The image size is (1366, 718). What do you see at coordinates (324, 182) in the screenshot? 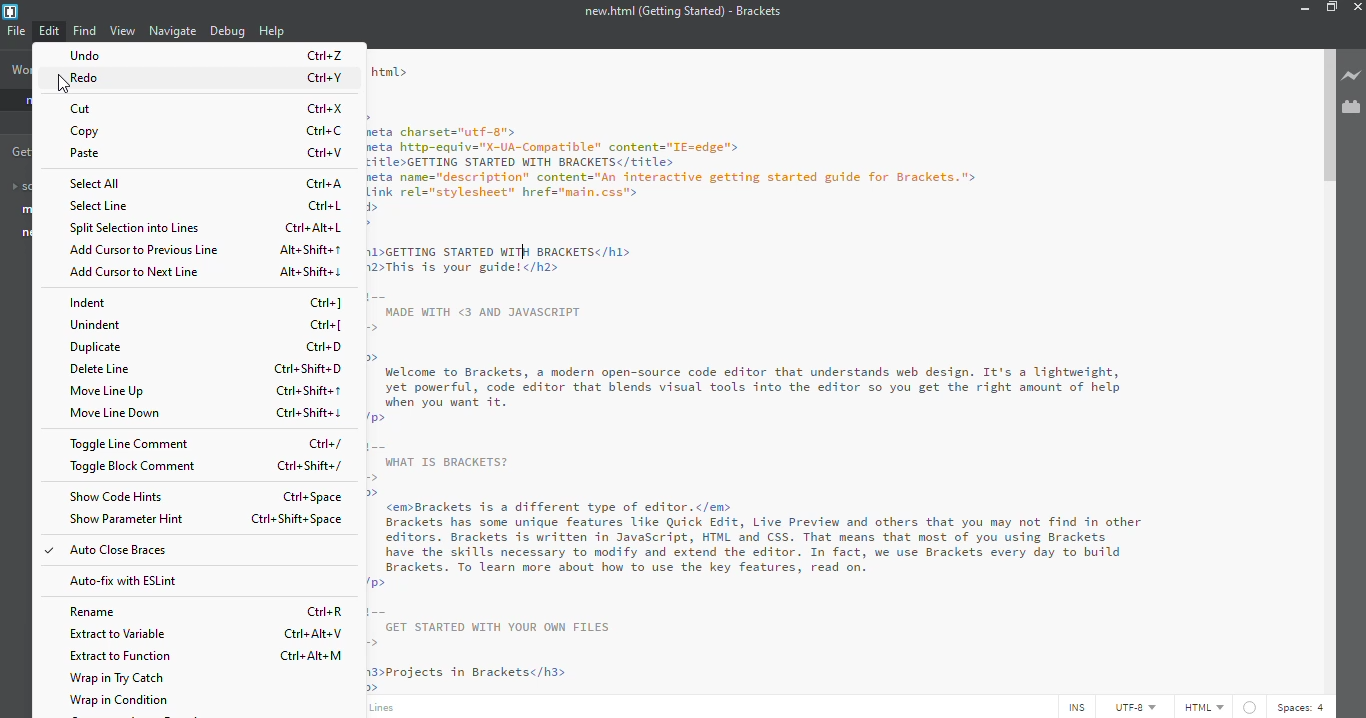
I see `ctrl+a` at bounding box center [324, 182].